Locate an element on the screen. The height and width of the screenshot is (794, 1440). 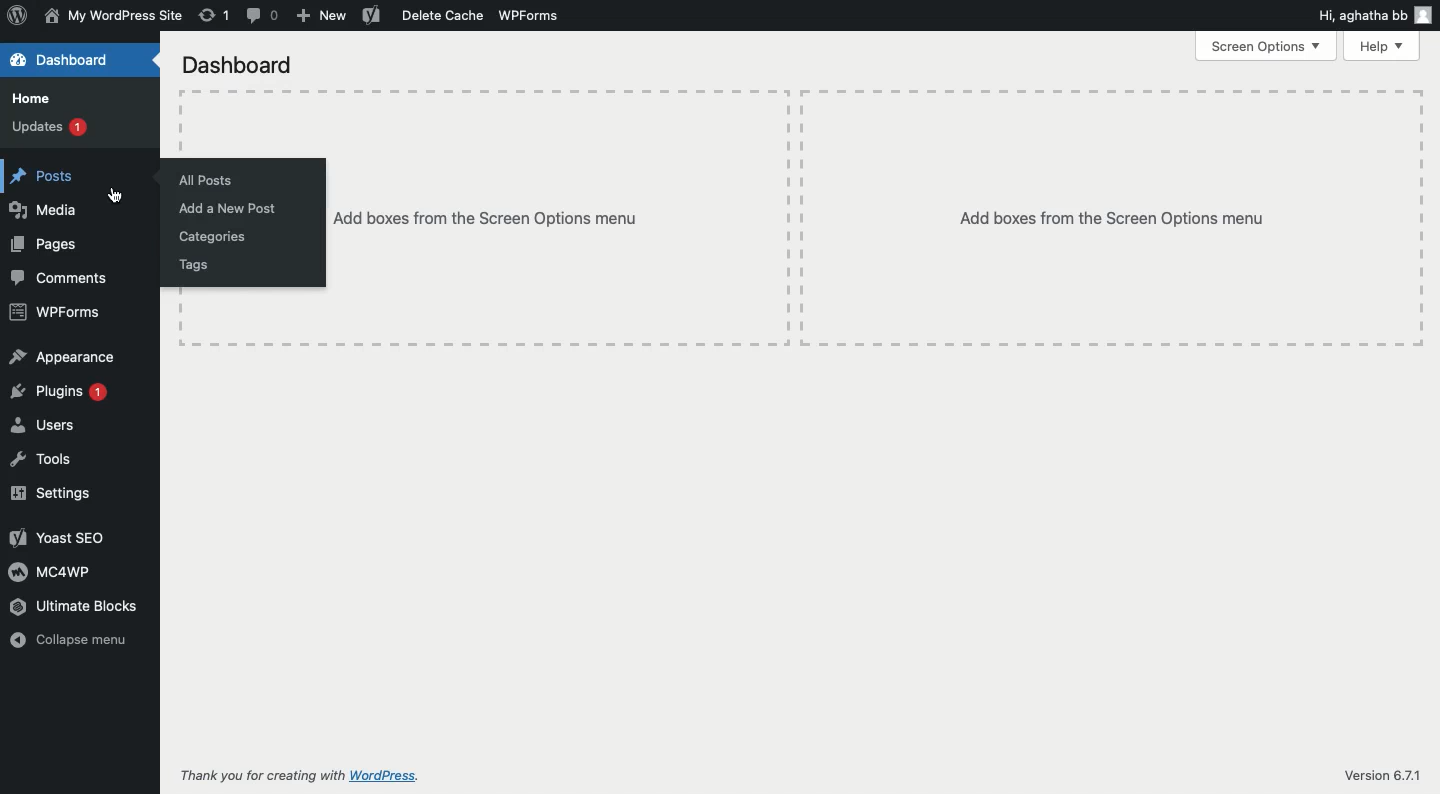
Name is located at coordinates (113, 17).